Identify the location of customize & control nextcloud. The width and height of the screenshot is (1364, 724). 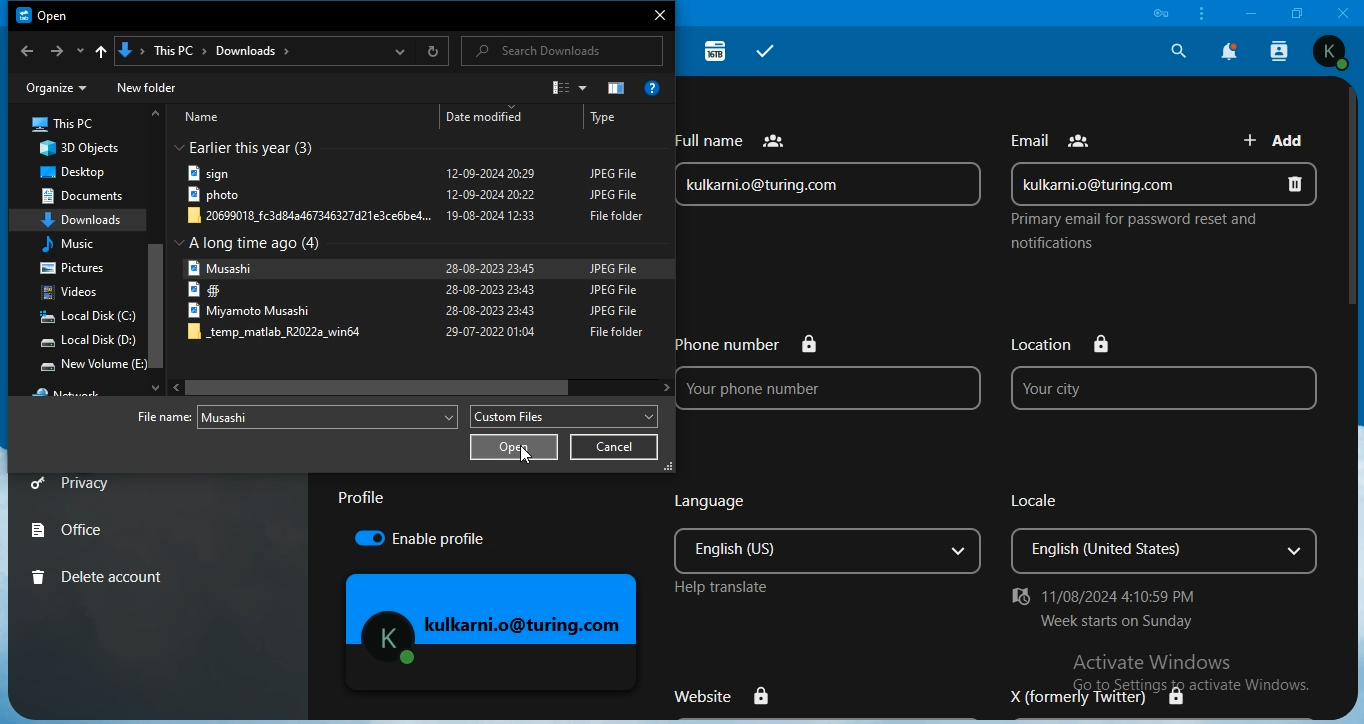
(1199, 14).